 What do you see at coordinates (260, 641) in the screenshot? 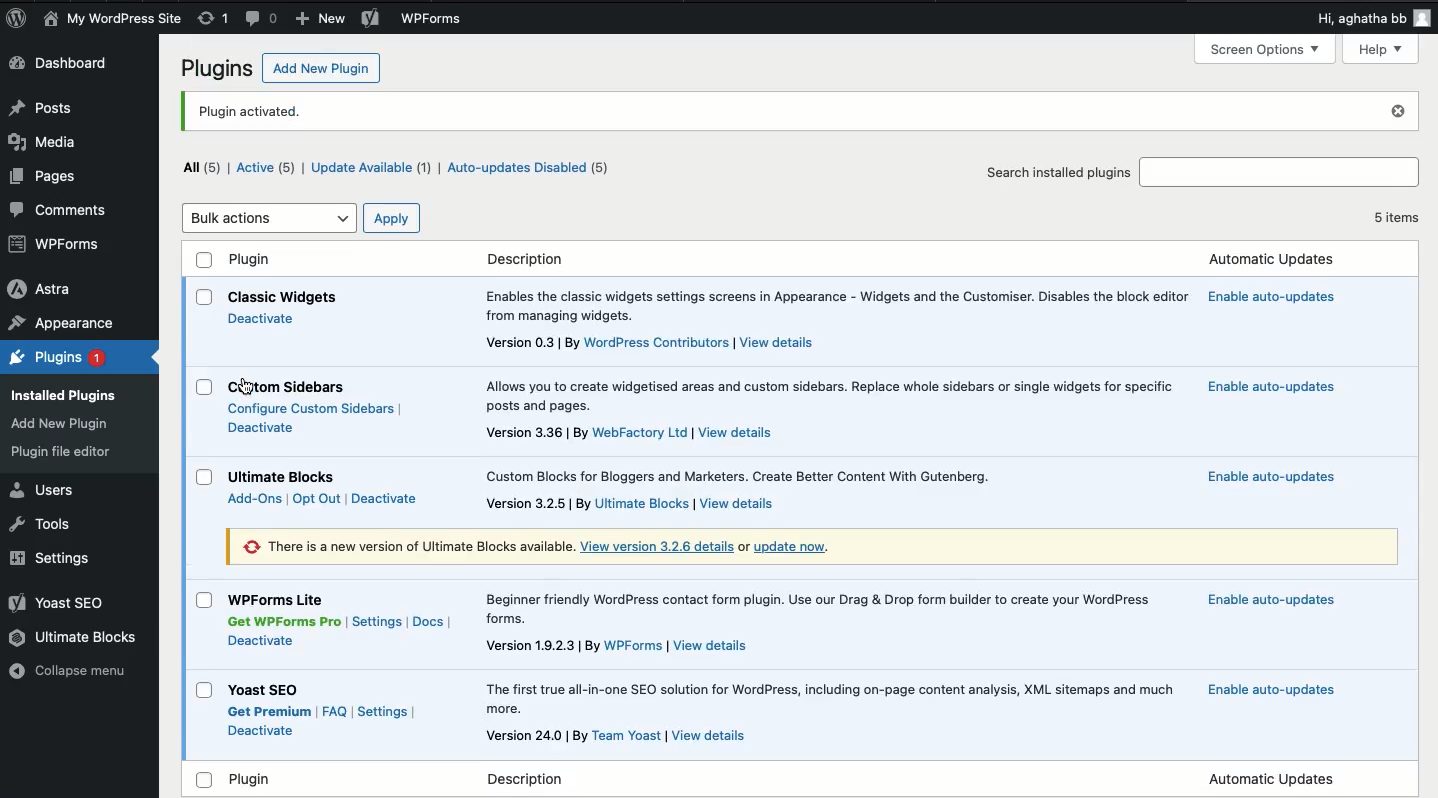
I see `Deactivate` at bounding box center [260, 641].